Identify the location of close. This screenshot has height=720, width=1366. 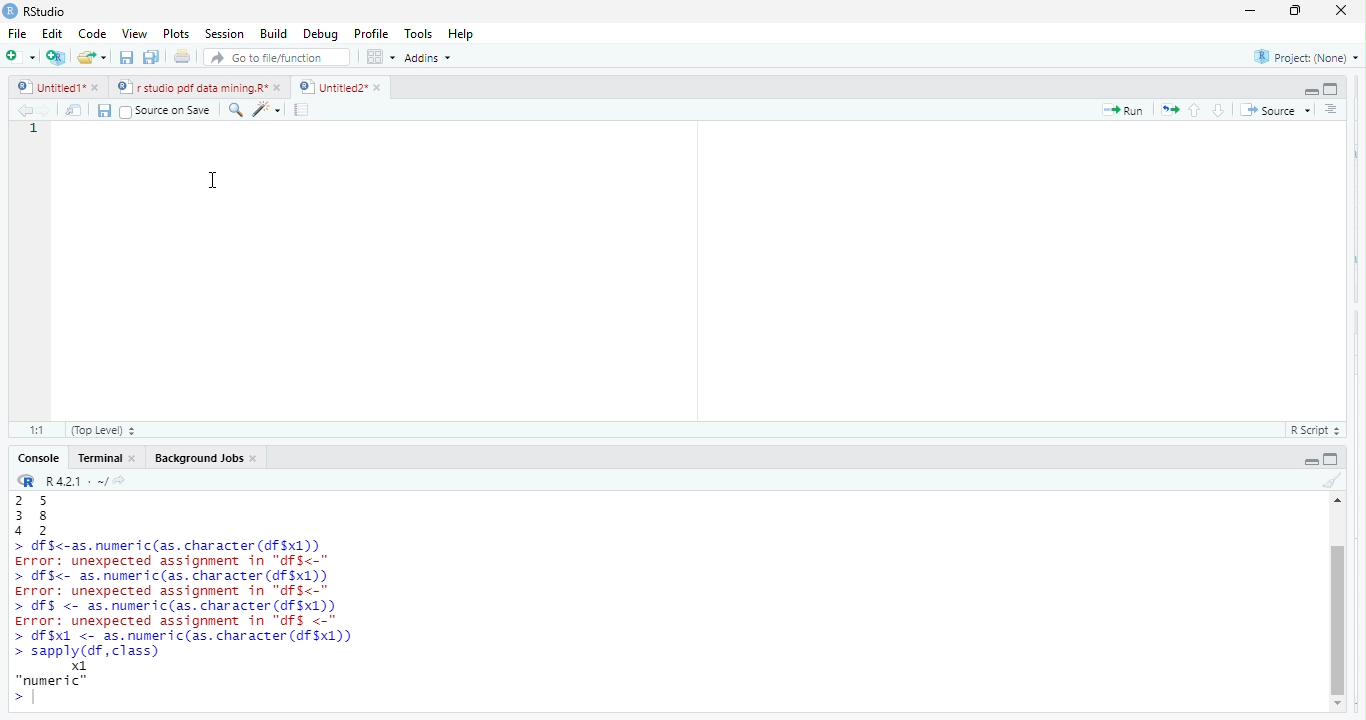
(258, 459).